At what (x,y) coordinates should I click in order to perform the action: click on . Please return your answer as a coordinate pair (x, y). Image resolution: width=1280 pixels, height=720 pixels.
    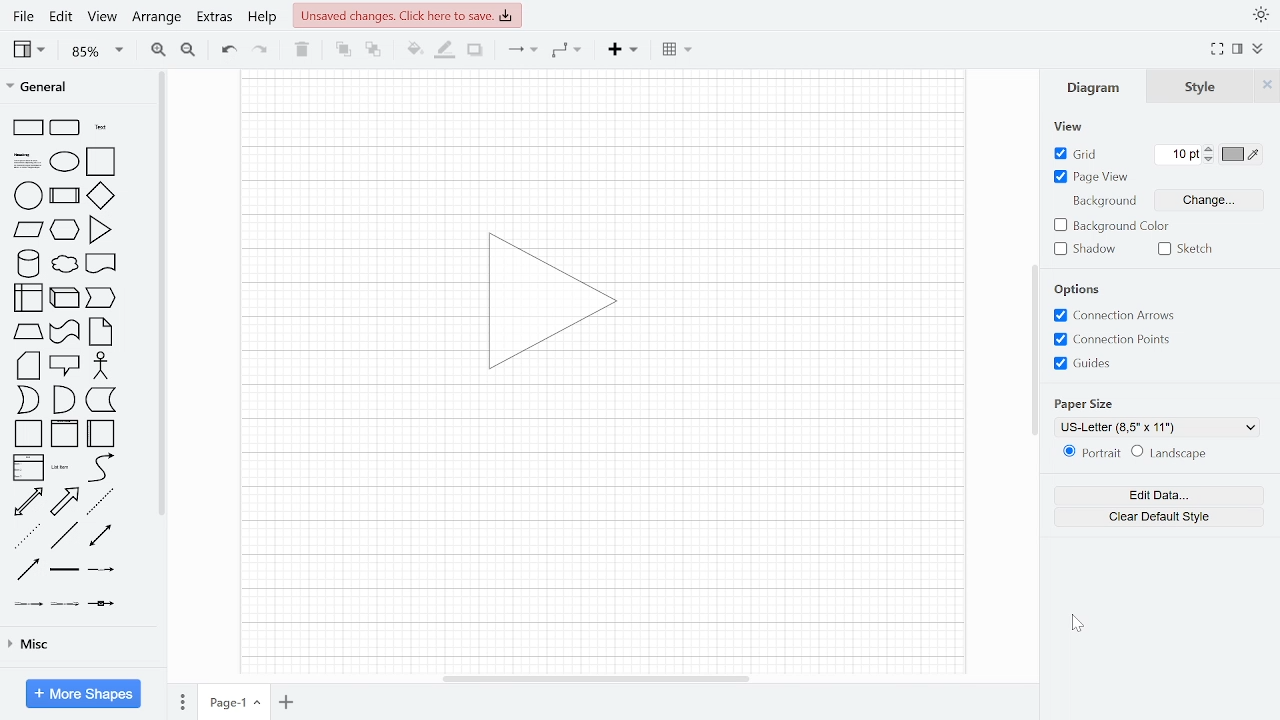
    Looking at the image, I should click on (567, 51).